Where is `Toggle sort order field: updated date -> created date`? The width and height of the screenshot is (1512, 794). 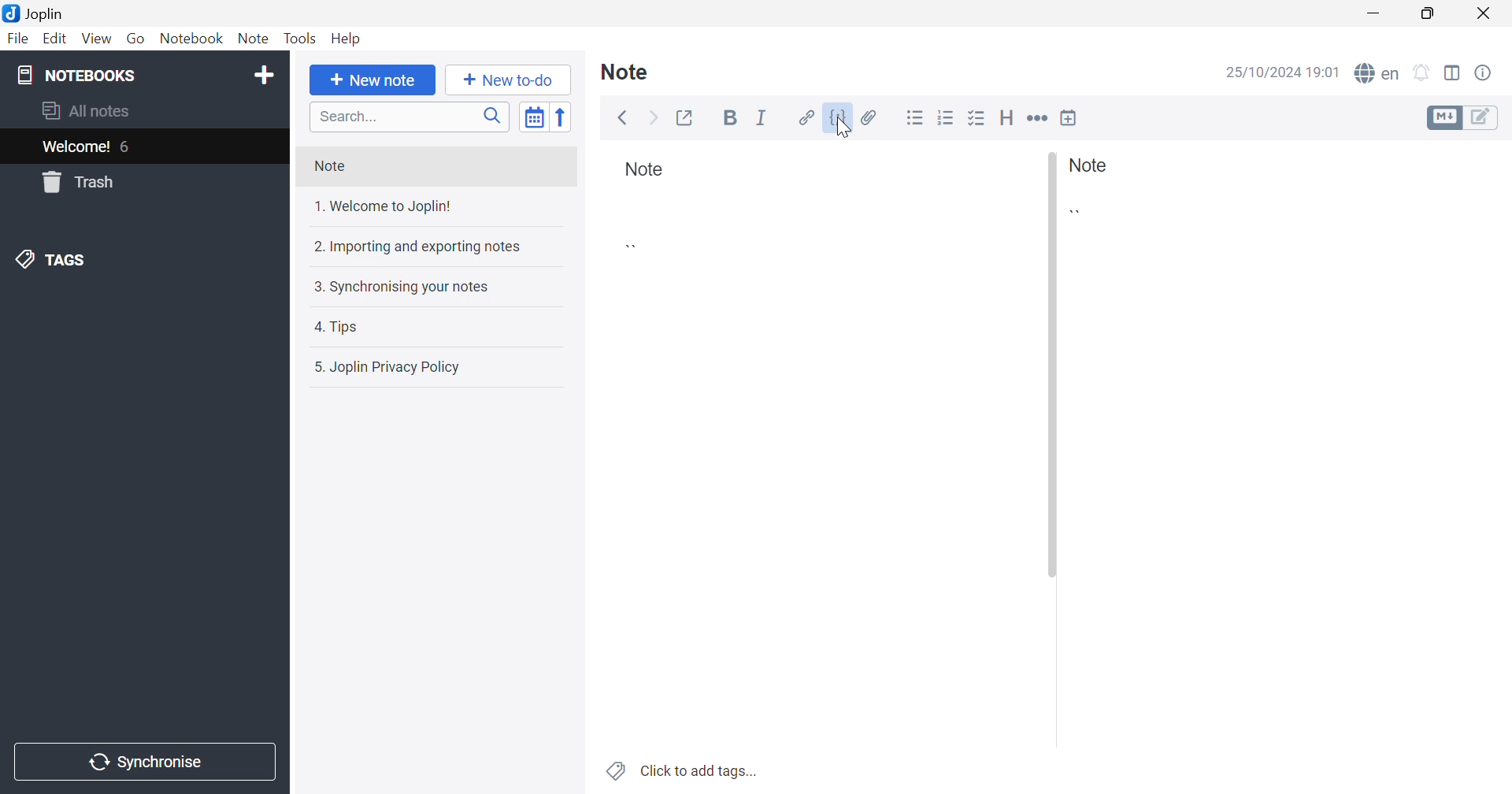
Toggle sort order field: updated date -> created date is located at coordinates (533, 117).